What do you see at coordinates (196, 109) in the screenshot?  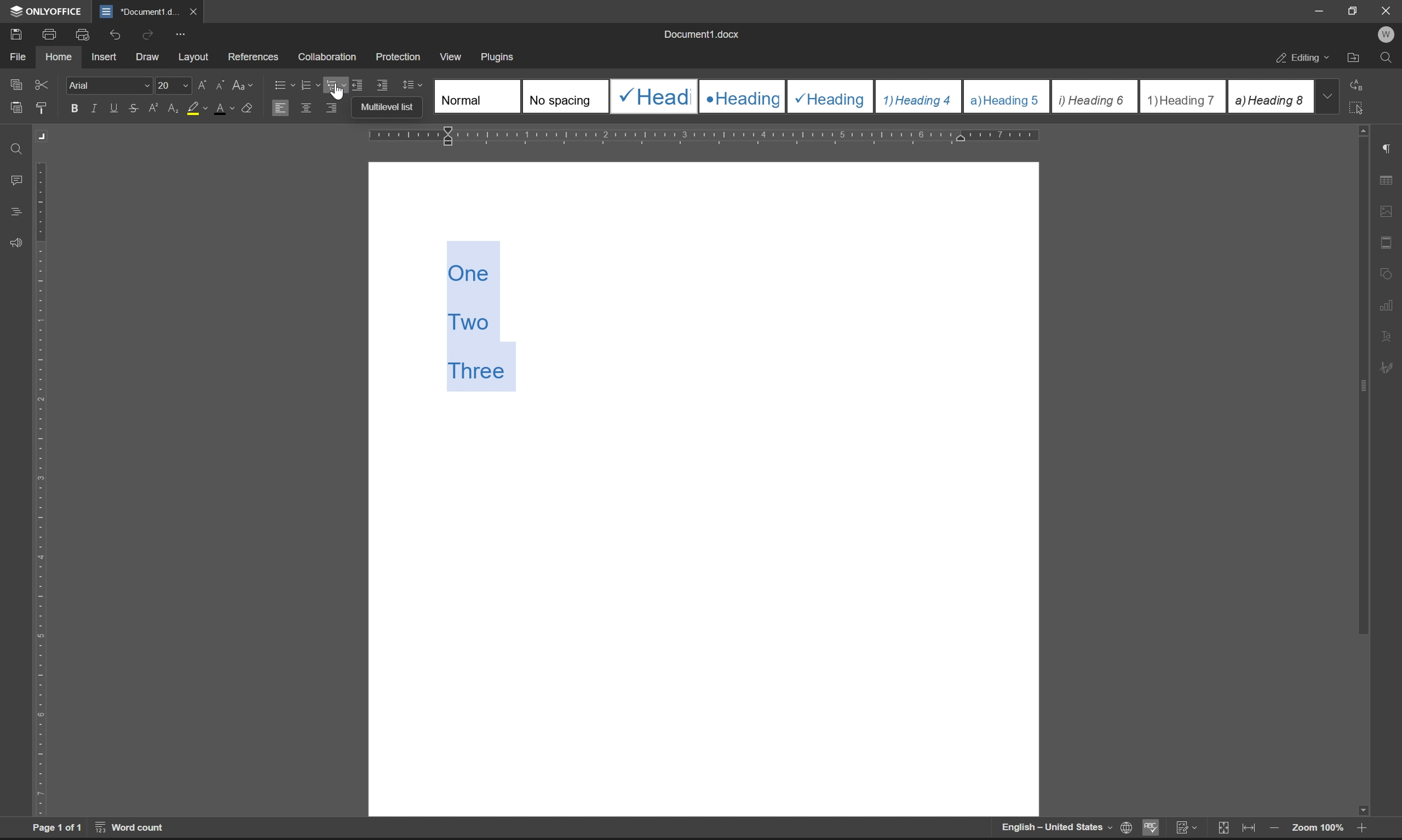 I see `background color` at bounding box center [196, 109].